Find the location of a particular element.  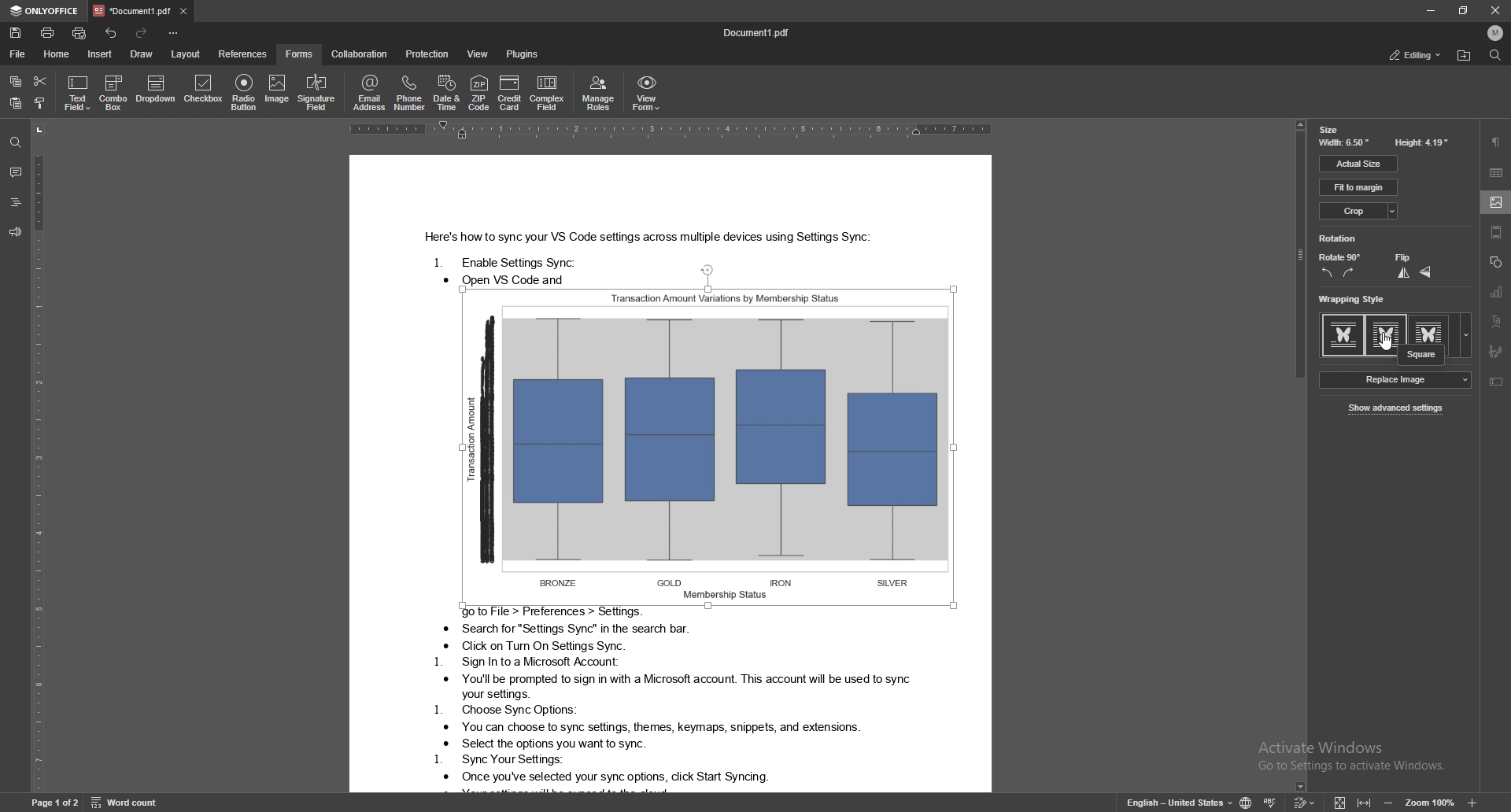

redo is located at coordinates (144, 34).